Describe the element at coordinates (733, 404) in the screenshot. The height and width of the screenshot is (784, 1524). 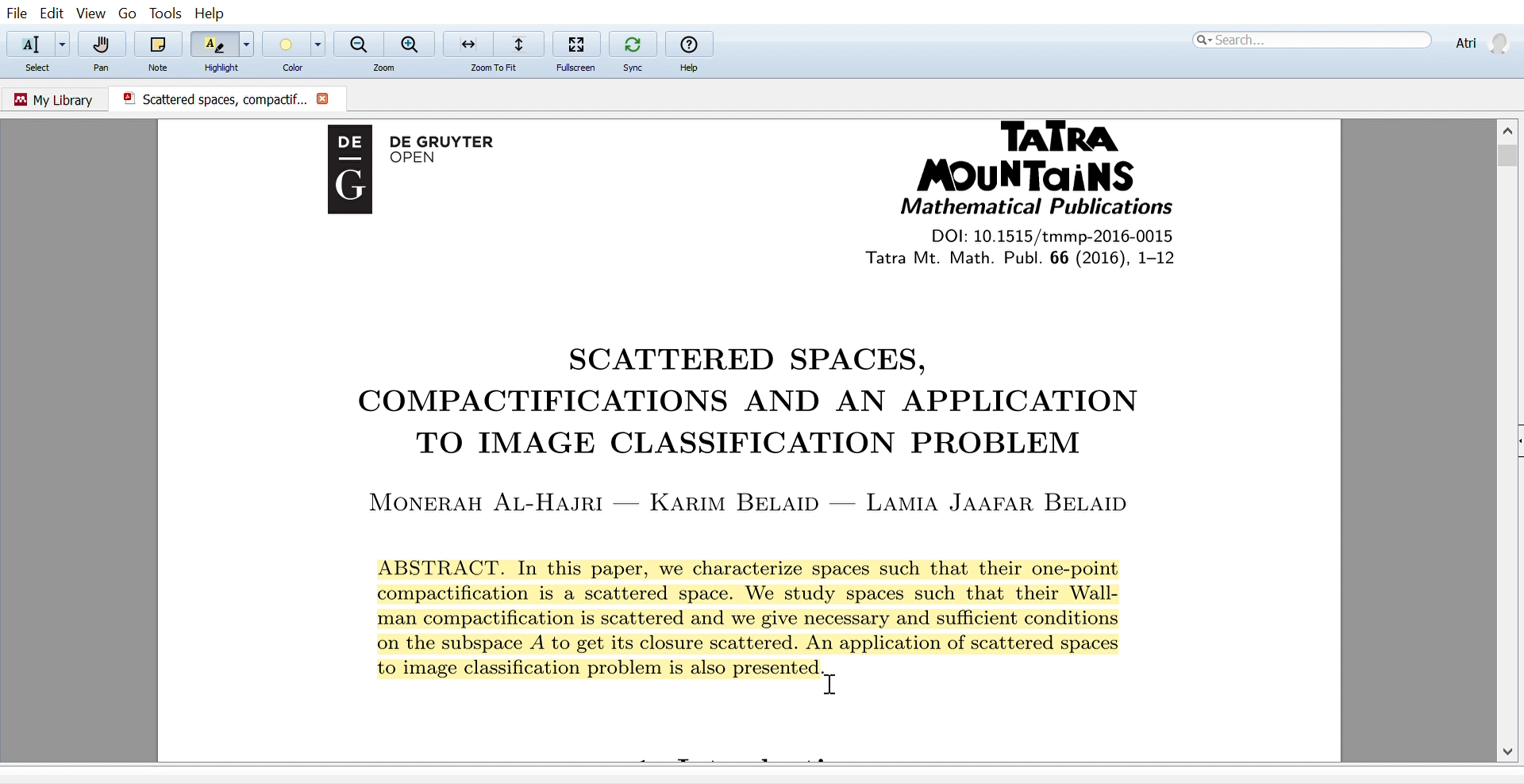
I see `COMPACTIFICATIONS AND AN APPLICATION` at that location.